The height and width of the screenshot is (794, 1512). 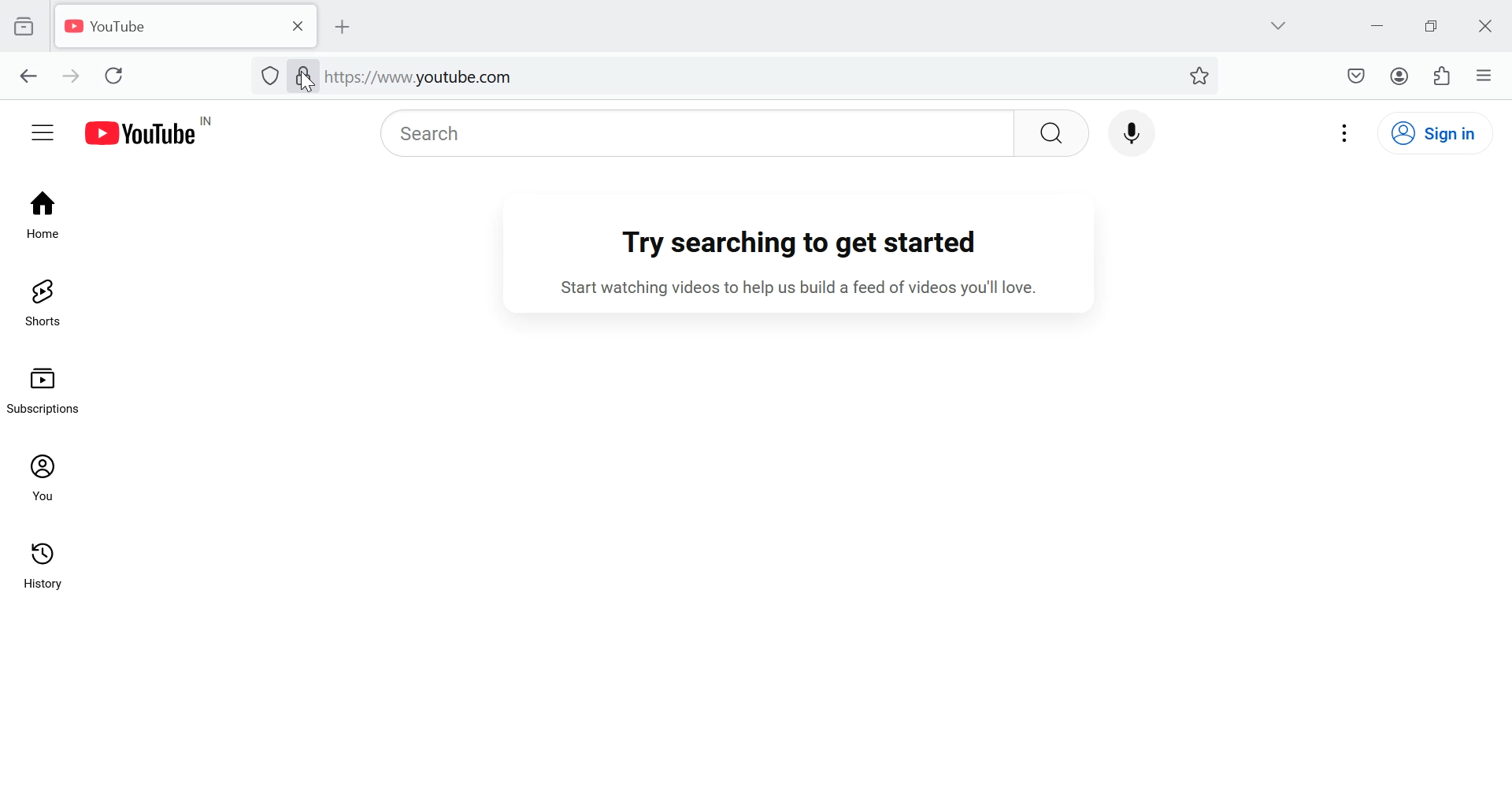 I want to click on https://www.youtube.com/, so click(x=421, y=77).